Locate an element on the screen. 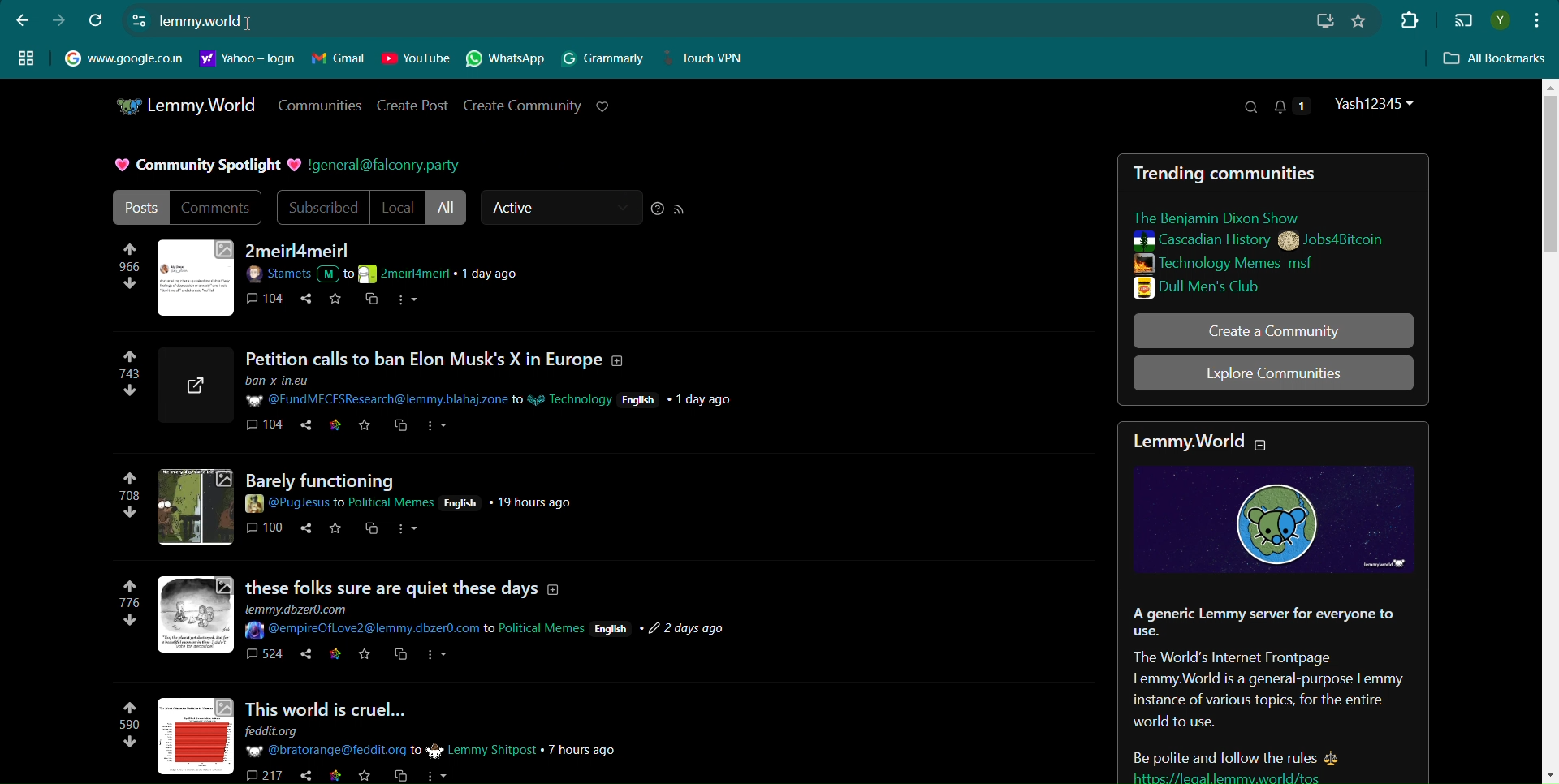  Hyperlink is located at coordinates (123, 57).